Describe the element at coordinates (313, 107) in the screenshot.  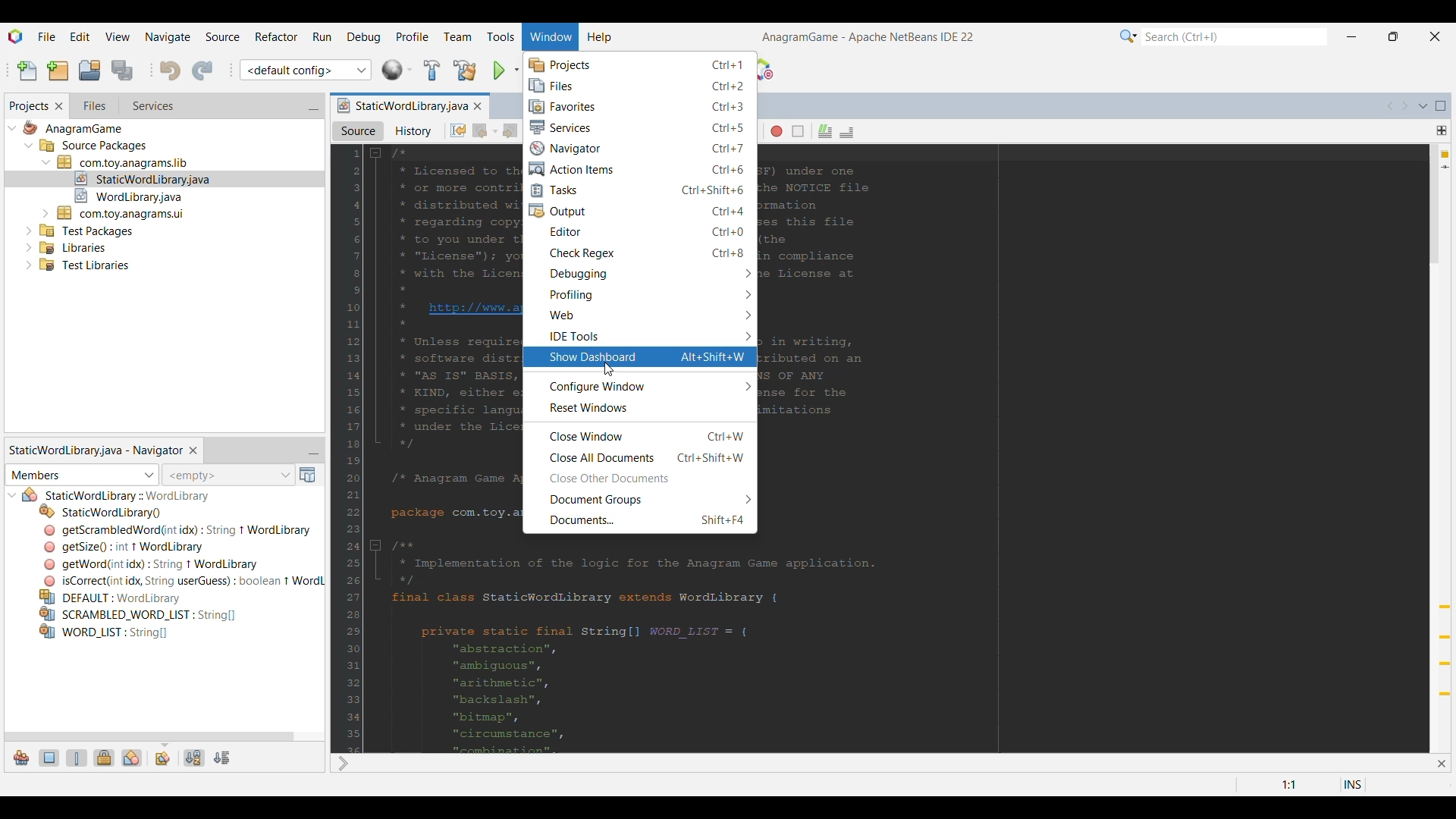
I see `Minimize window group` at that location.